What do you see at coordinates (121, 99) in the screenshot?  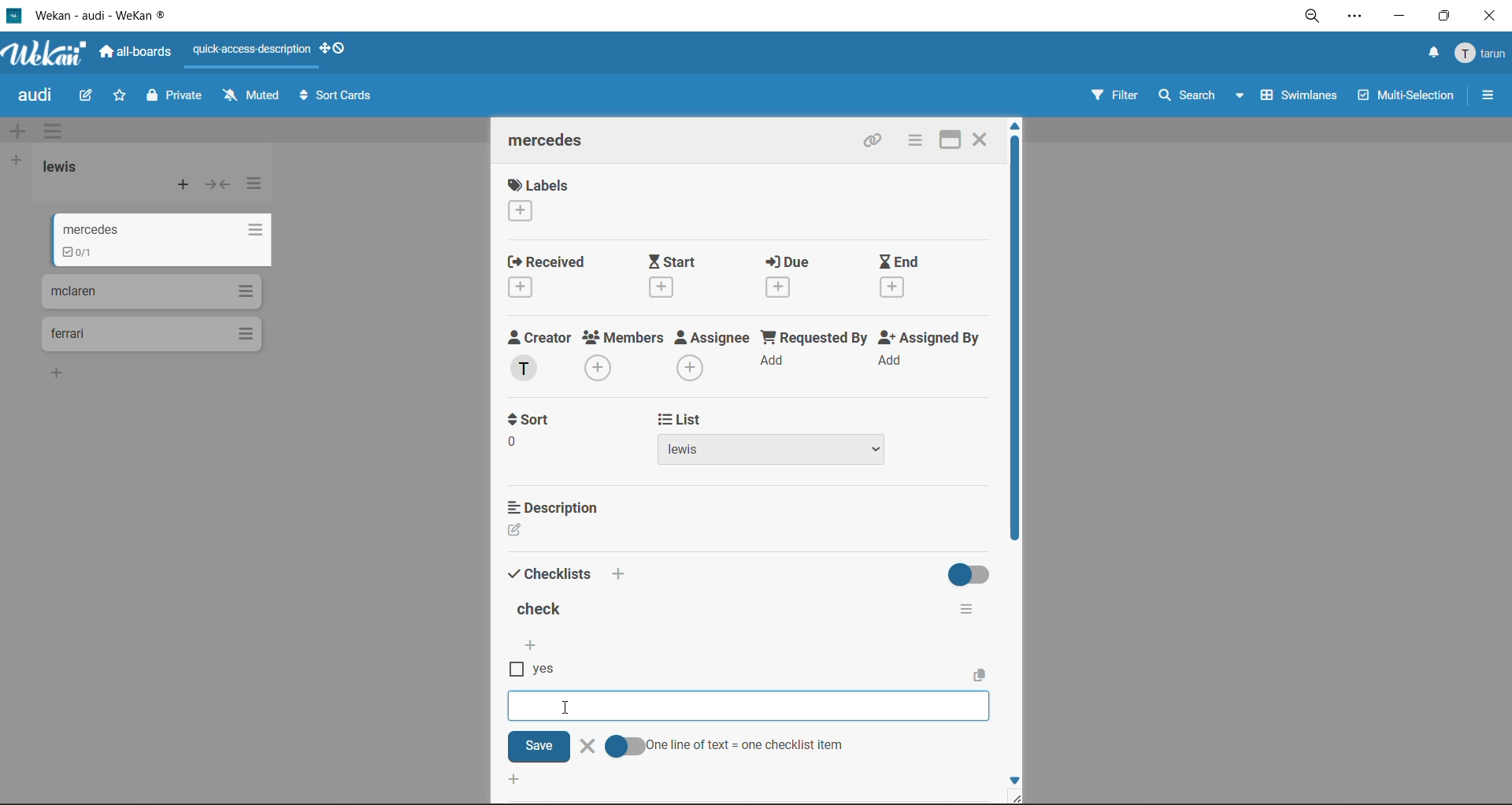 I see `star` at bounding box center [121, 99].